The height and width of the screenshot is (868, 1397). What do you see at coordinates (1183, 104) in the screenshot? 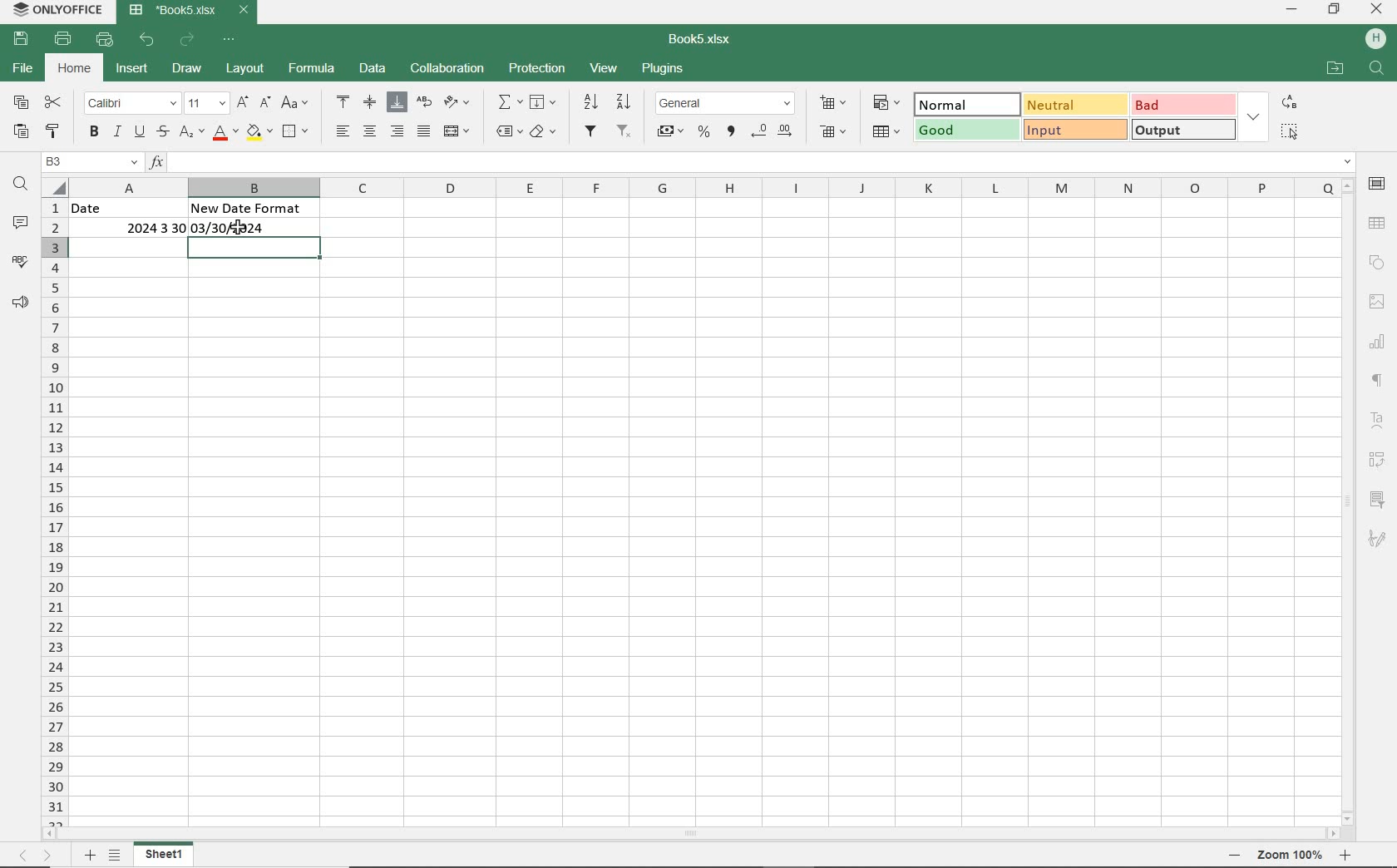
I see `BAD` at bounding box center [1183, 104].